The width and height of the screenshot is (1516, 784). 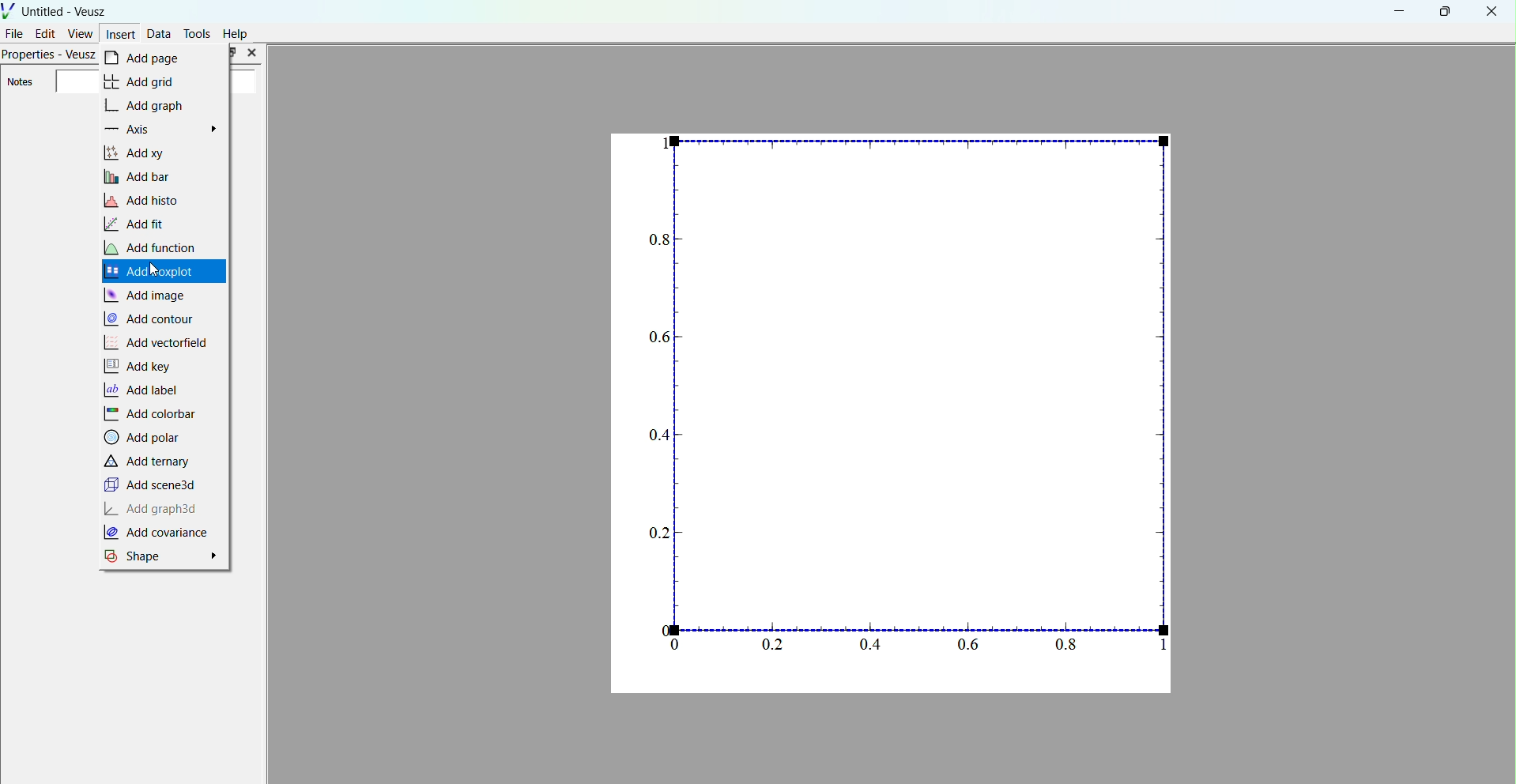 What do you see at coordinates (145, 222) in the screenshot?
I see `Add fit` at bounding box center [145, 222].